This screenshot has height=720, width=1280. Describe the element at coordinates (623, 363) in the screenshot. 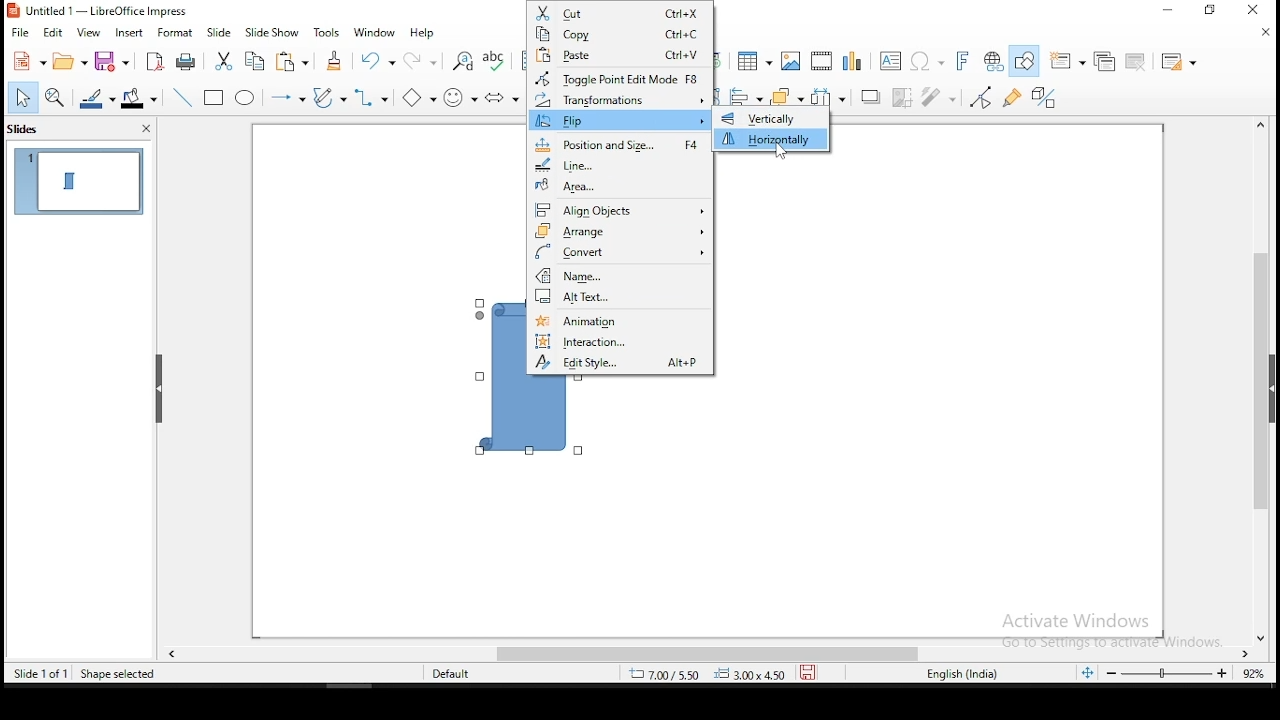

I see `edit style` at that location.